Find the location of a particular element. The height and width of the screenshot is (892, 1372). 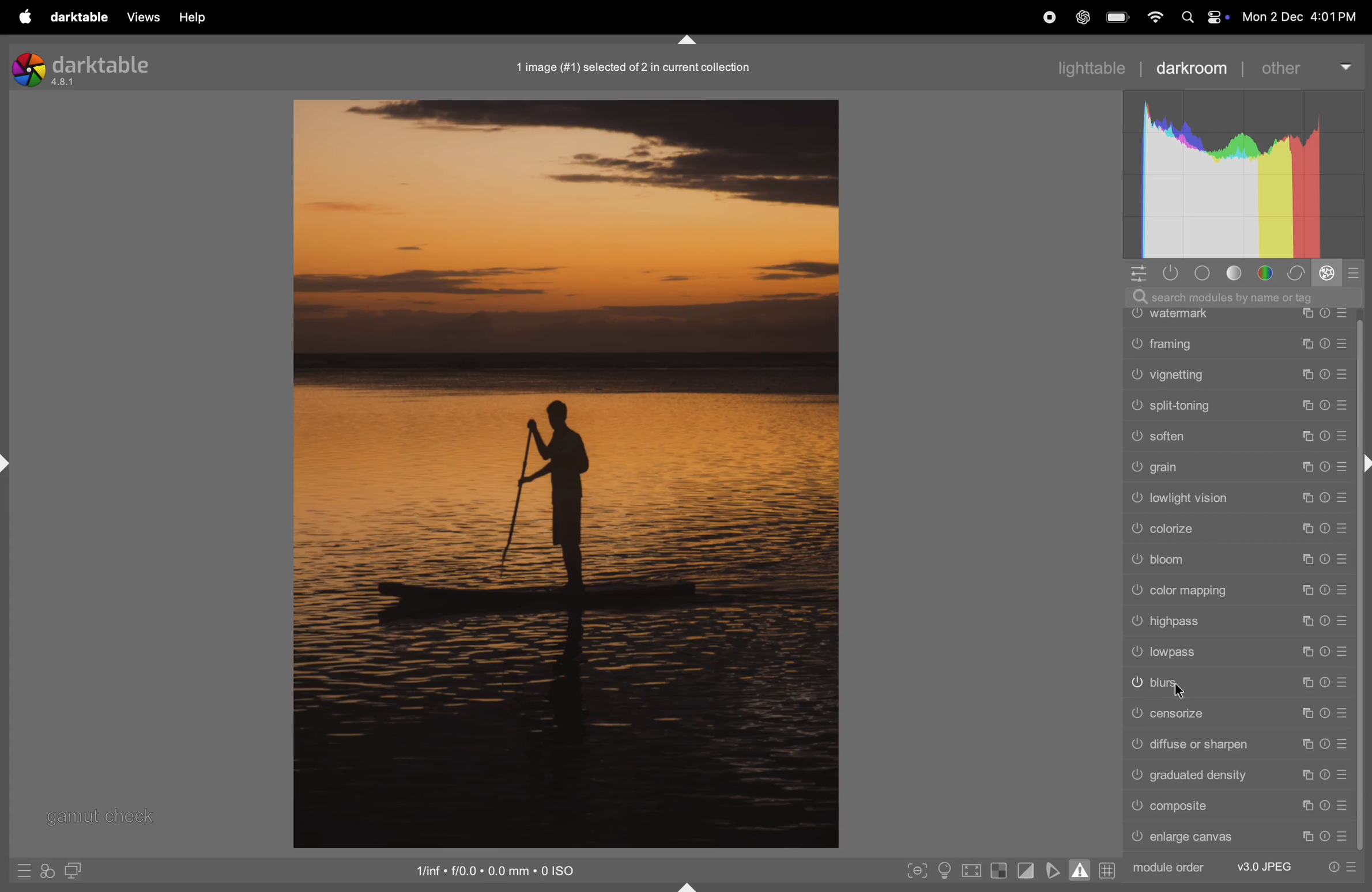

acces to filters is located at coordinates (49, 870).